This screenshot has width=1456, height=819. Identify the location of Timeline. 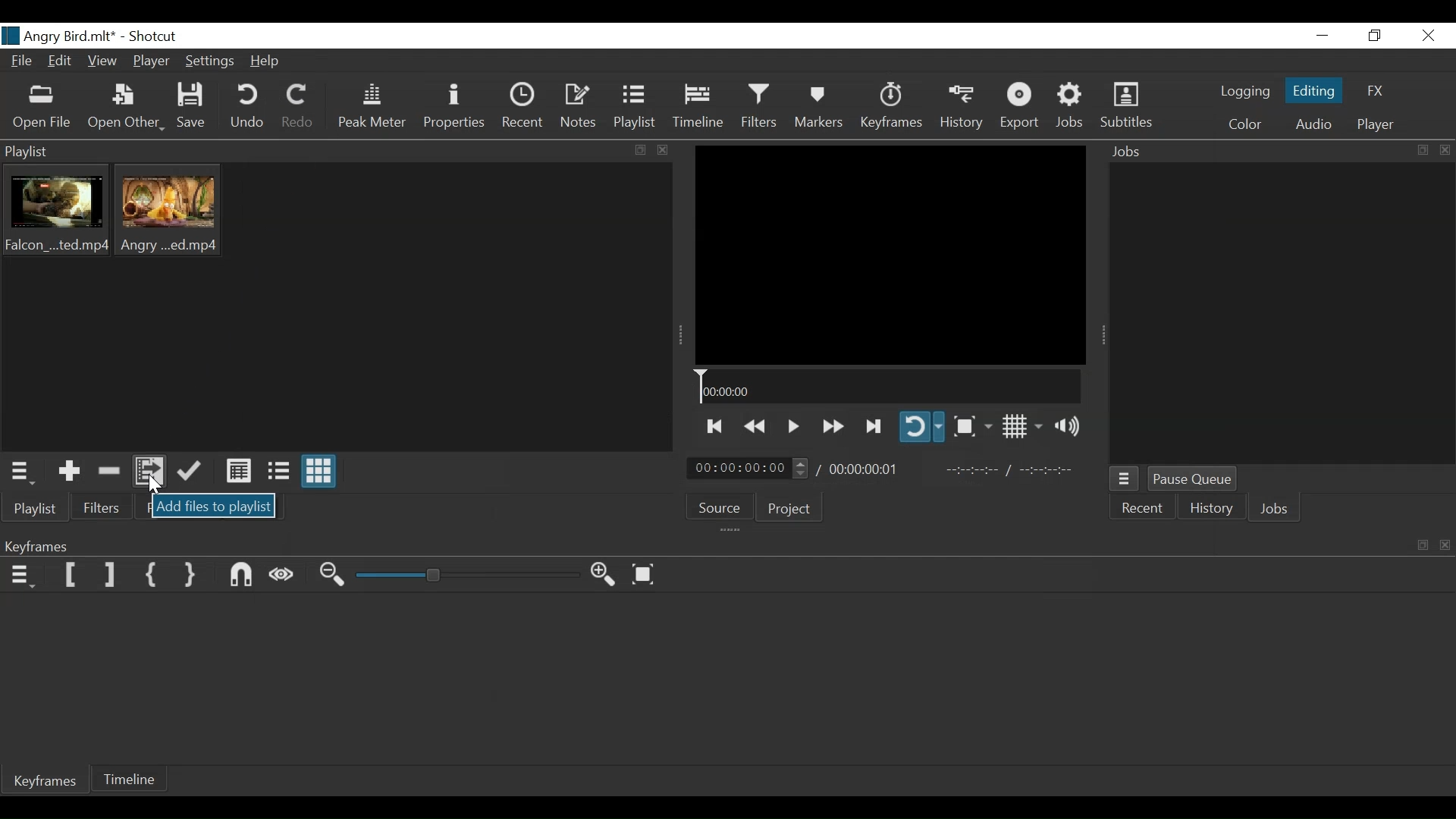
(699, 109).